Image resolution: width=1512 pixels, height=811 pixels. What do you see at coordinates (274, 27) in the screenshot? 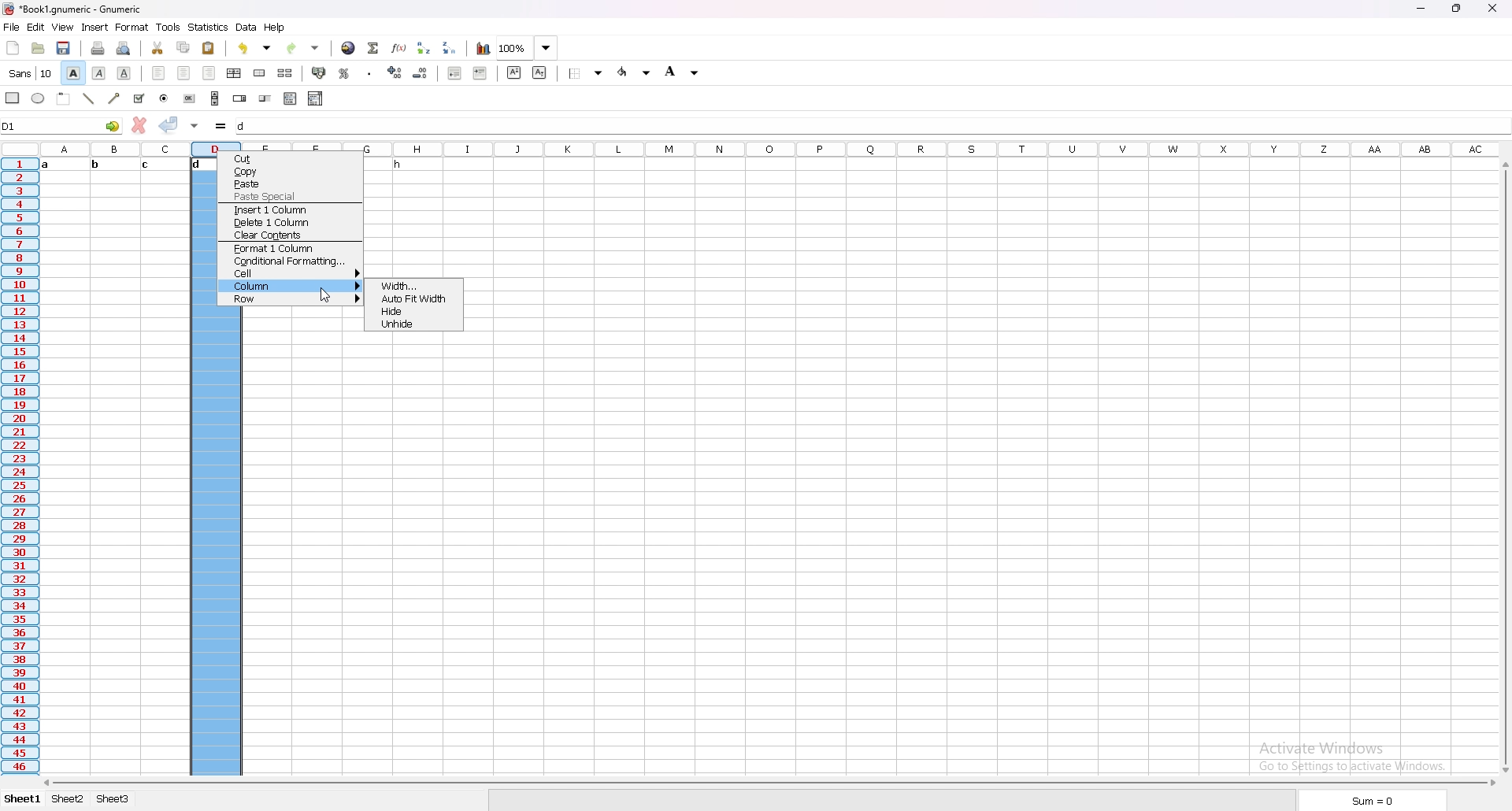
I see `help` at bounding box center [274, 27].